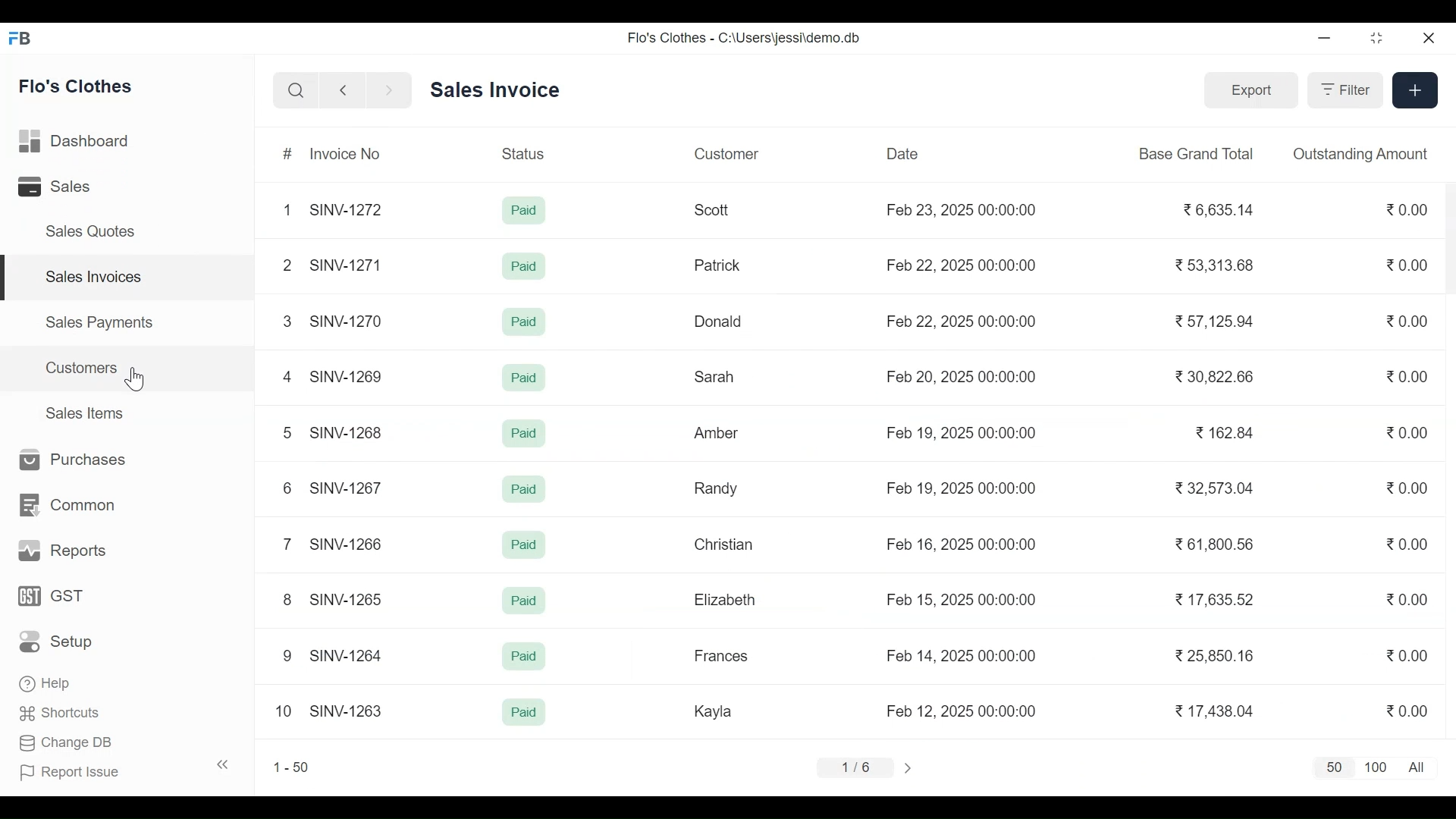  What do you see at coordinates (499, 90) in the screenshot?
I see `Sales Invoice` at bounding box center [499, 90].